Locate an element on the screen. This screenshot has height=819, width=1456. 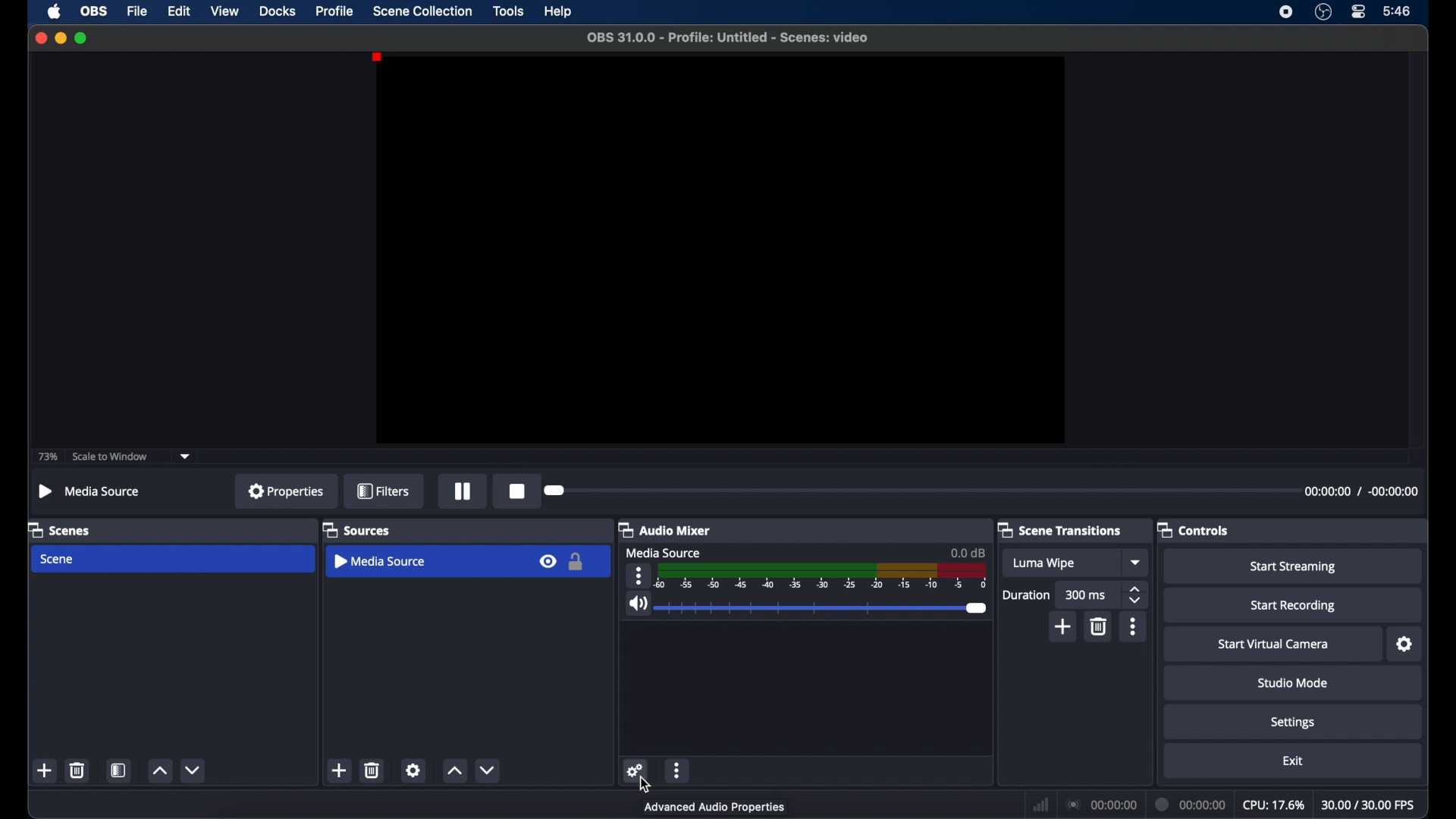
profile is located at coordinates (335, 10).